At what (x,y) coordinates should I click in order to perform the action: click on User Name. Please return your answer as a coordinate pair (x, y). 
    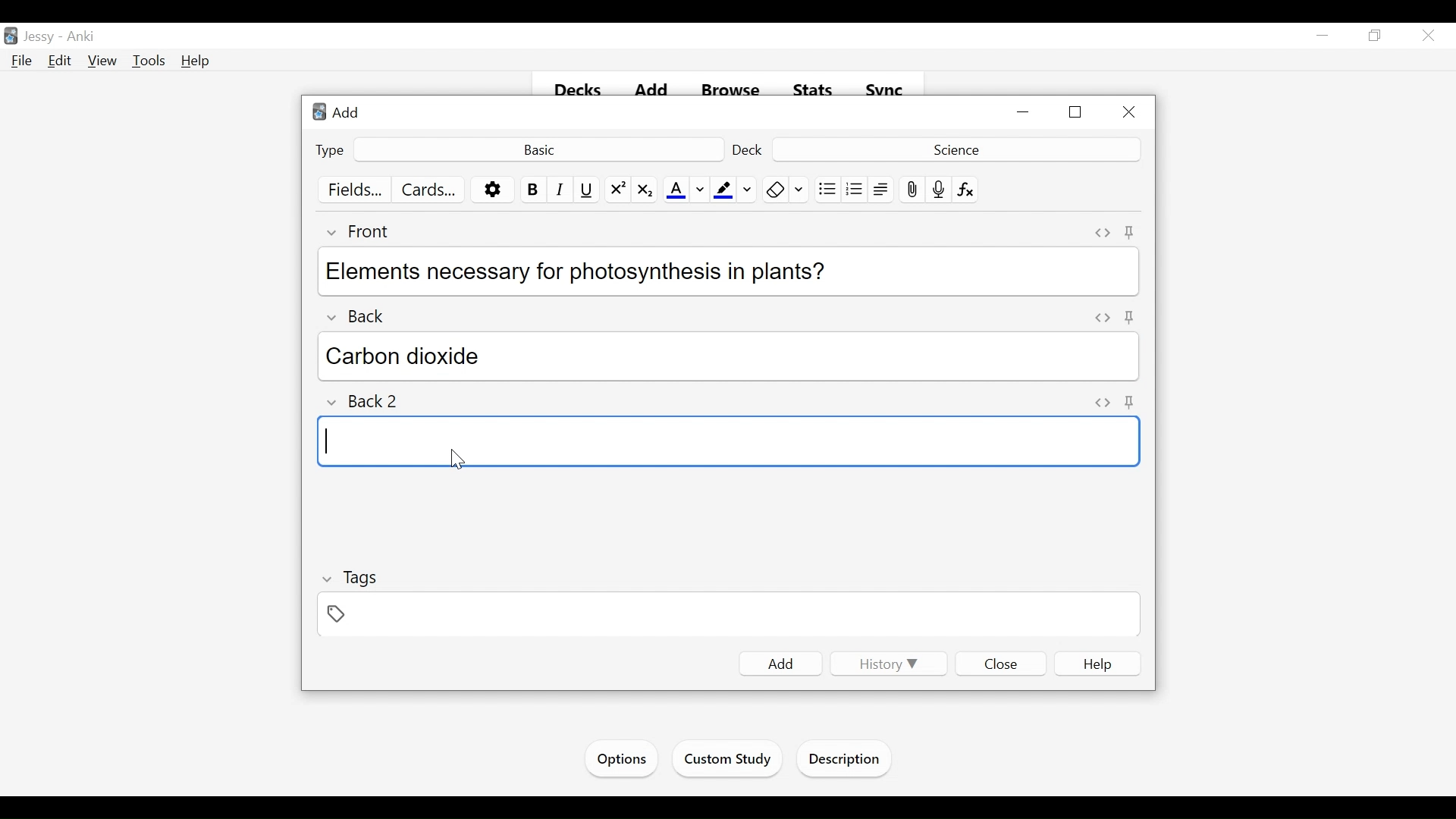
    Looking at the image, I should click on (42, 37).